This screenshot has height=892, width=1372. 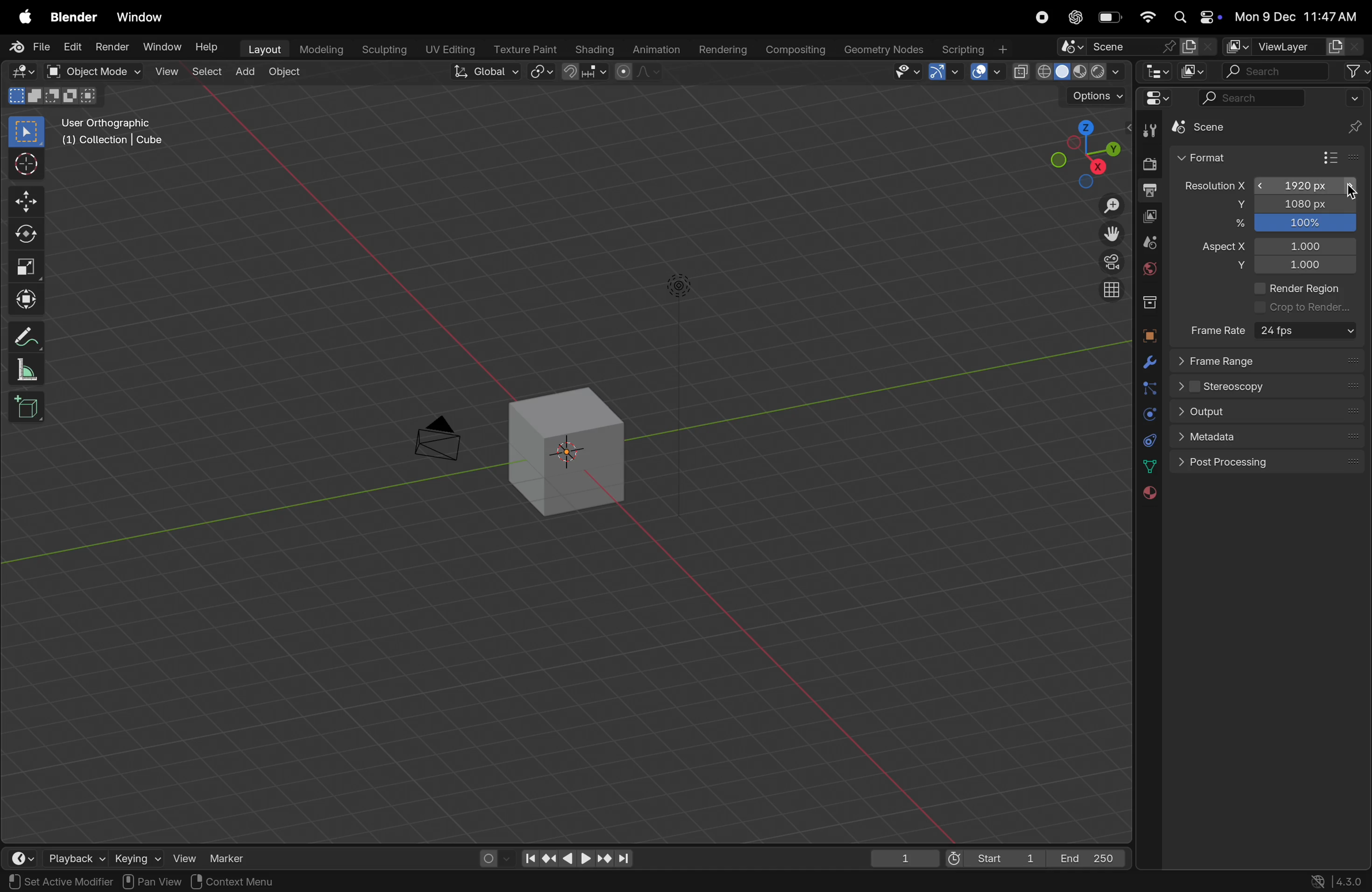 What do you see at coordinates (1307, 331) in the screenshot?
I see `24 fps` at bounding box center [1307, 331].